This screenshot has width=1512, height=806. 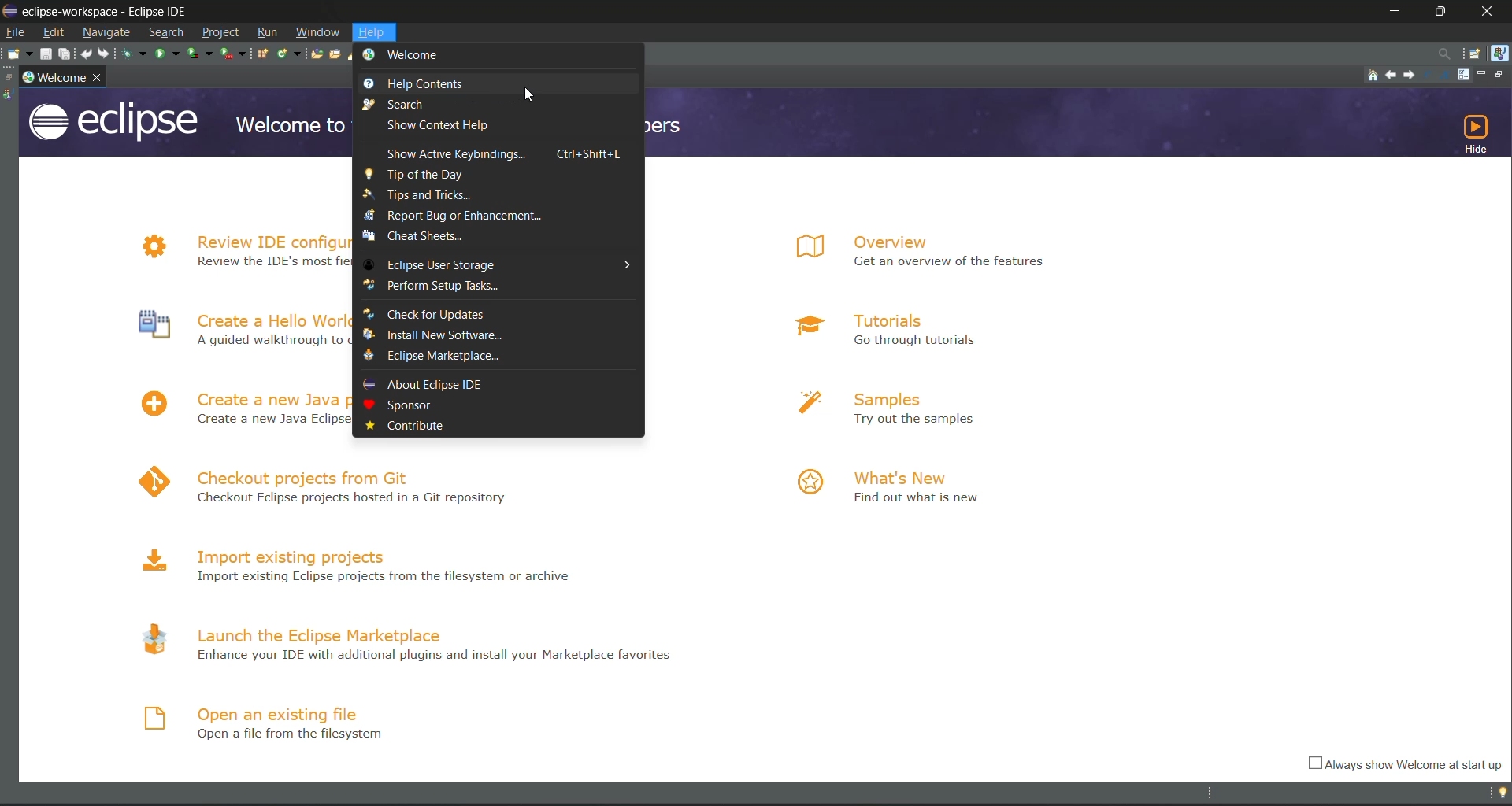 I want to click on search, so click(x=168, y=32).